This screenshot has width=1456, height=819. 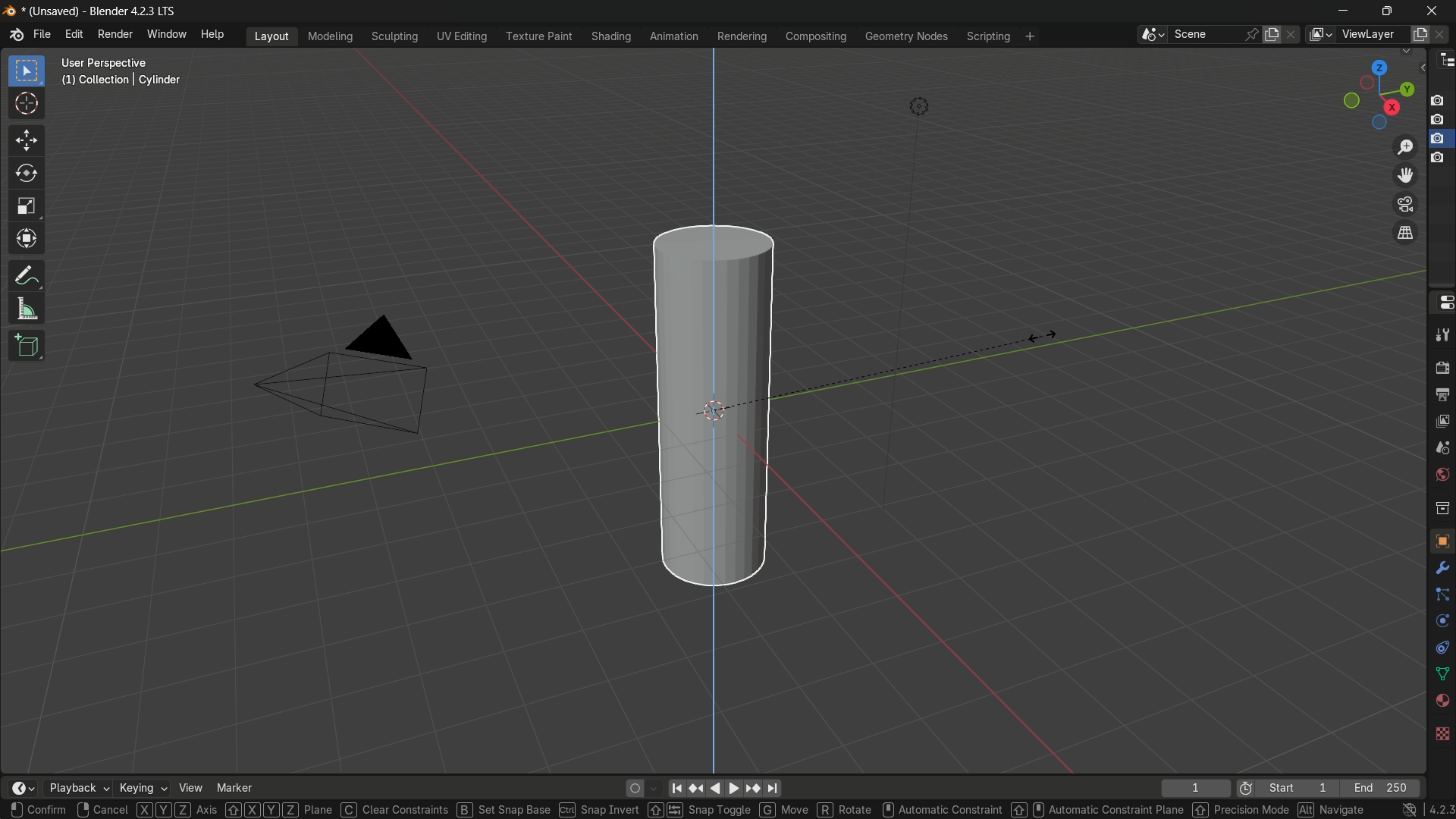 What do you see at coordinates (504, 810) in the screenshot?
I see `press B to Set Snap Base` at bounding box center [504, 810].